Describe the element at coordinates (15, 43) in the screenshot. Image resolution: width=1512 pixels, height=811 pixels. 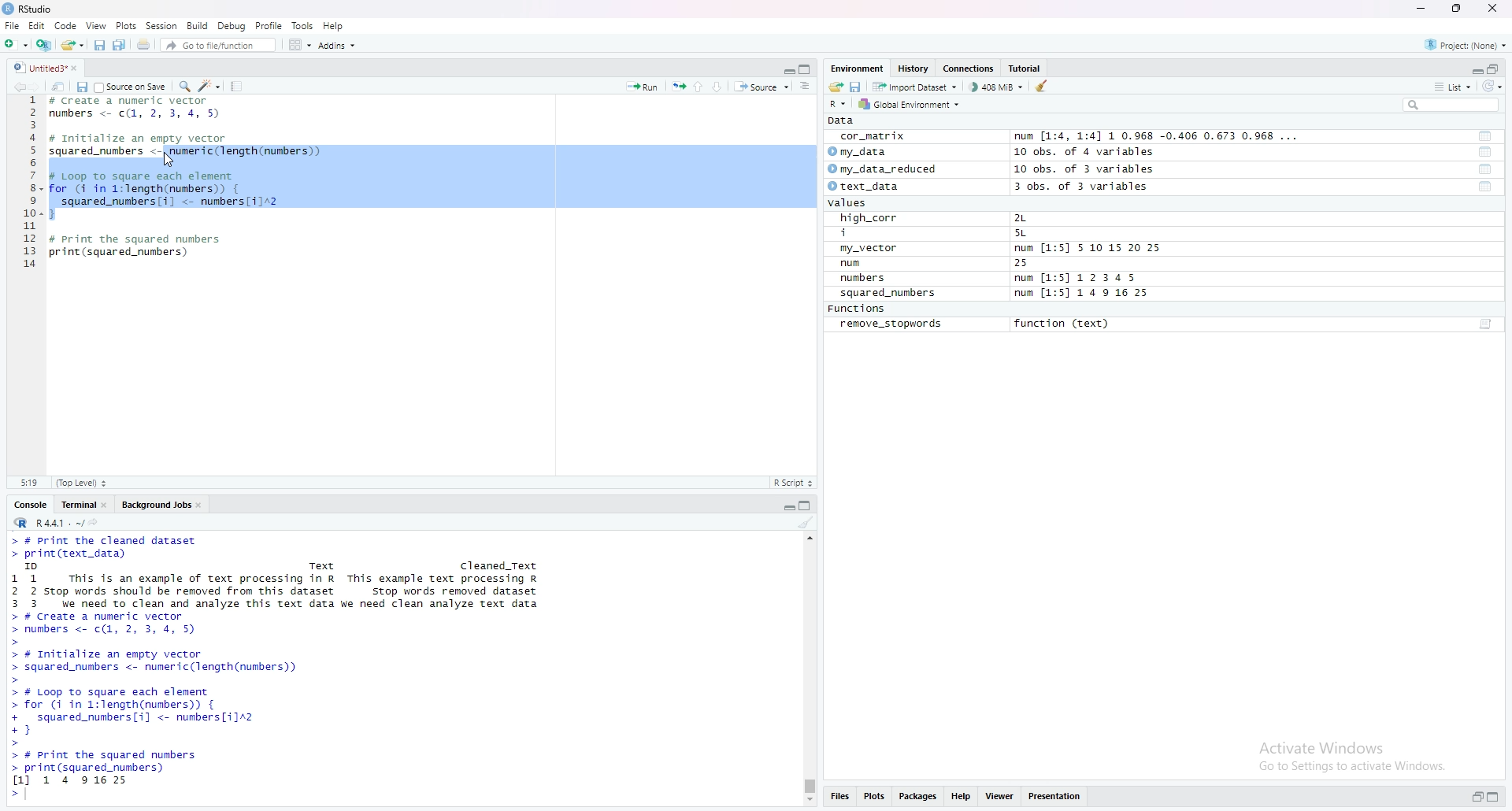
I see `New File` at that location.